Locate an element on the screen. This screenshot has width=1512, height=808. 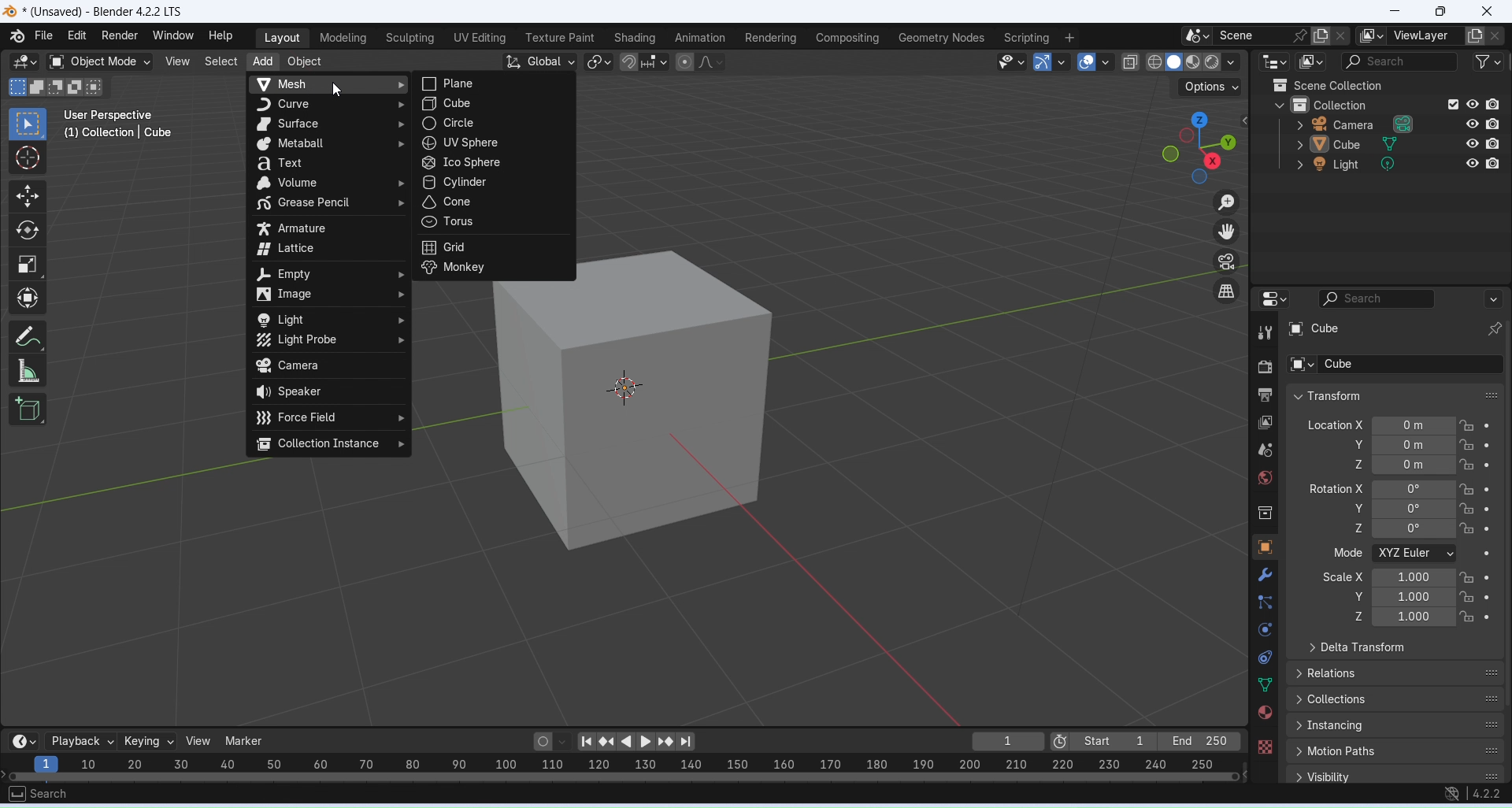
Modifiers is located at coordinates (1268, 574).